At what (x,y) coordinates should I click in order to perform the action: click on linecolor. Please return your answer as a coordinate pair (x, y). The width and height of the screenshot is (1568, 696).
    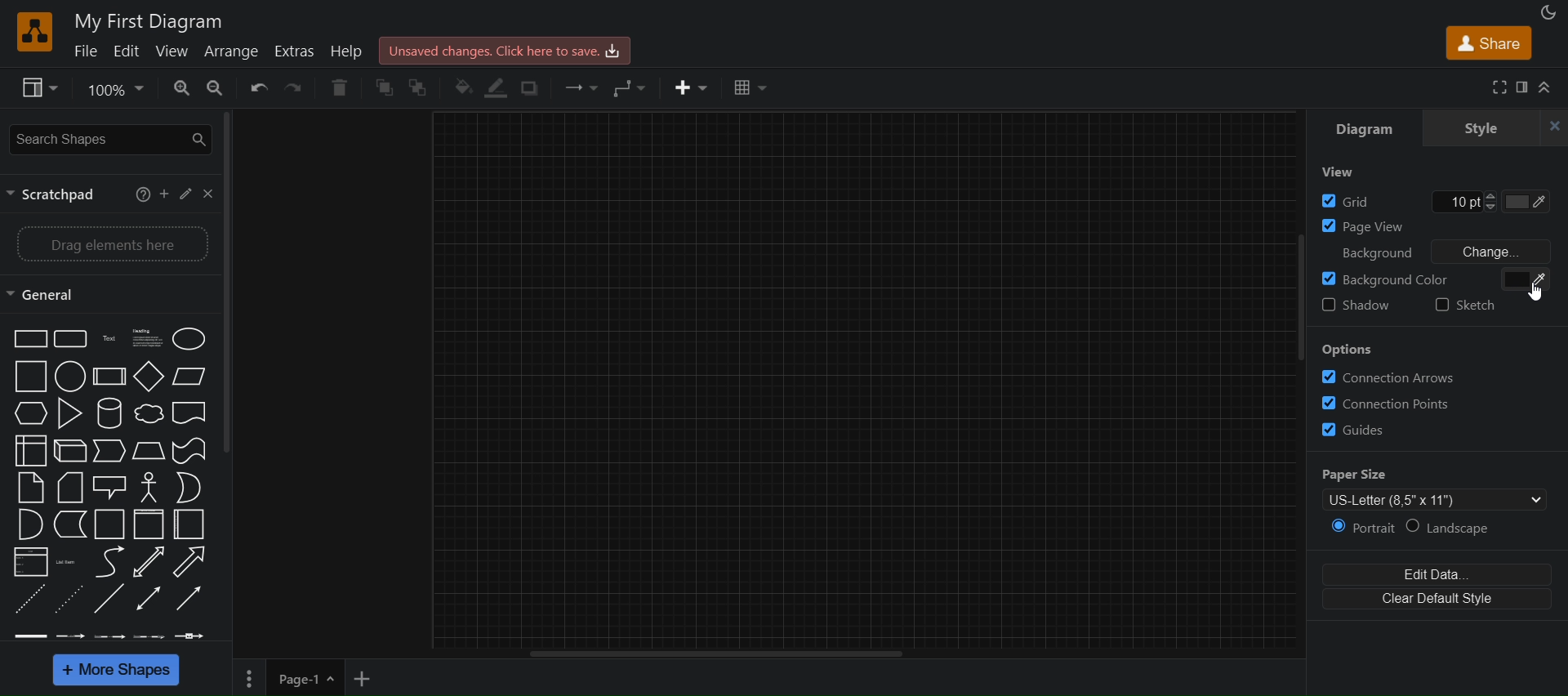
    Looking at the image, I should click on (497, 90).